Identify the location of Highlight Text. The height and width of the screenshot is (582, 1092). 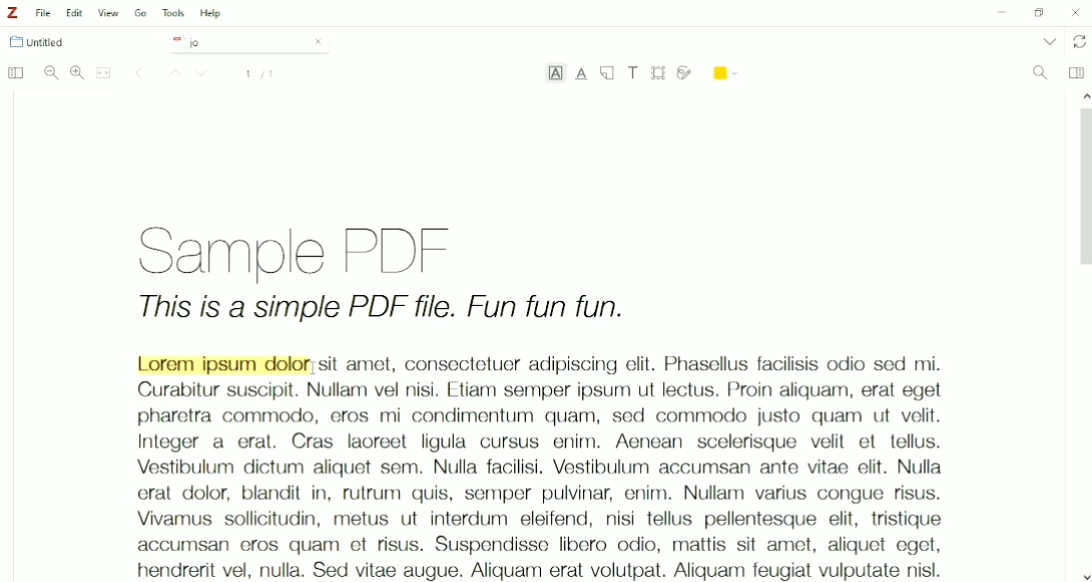
(555, 75).